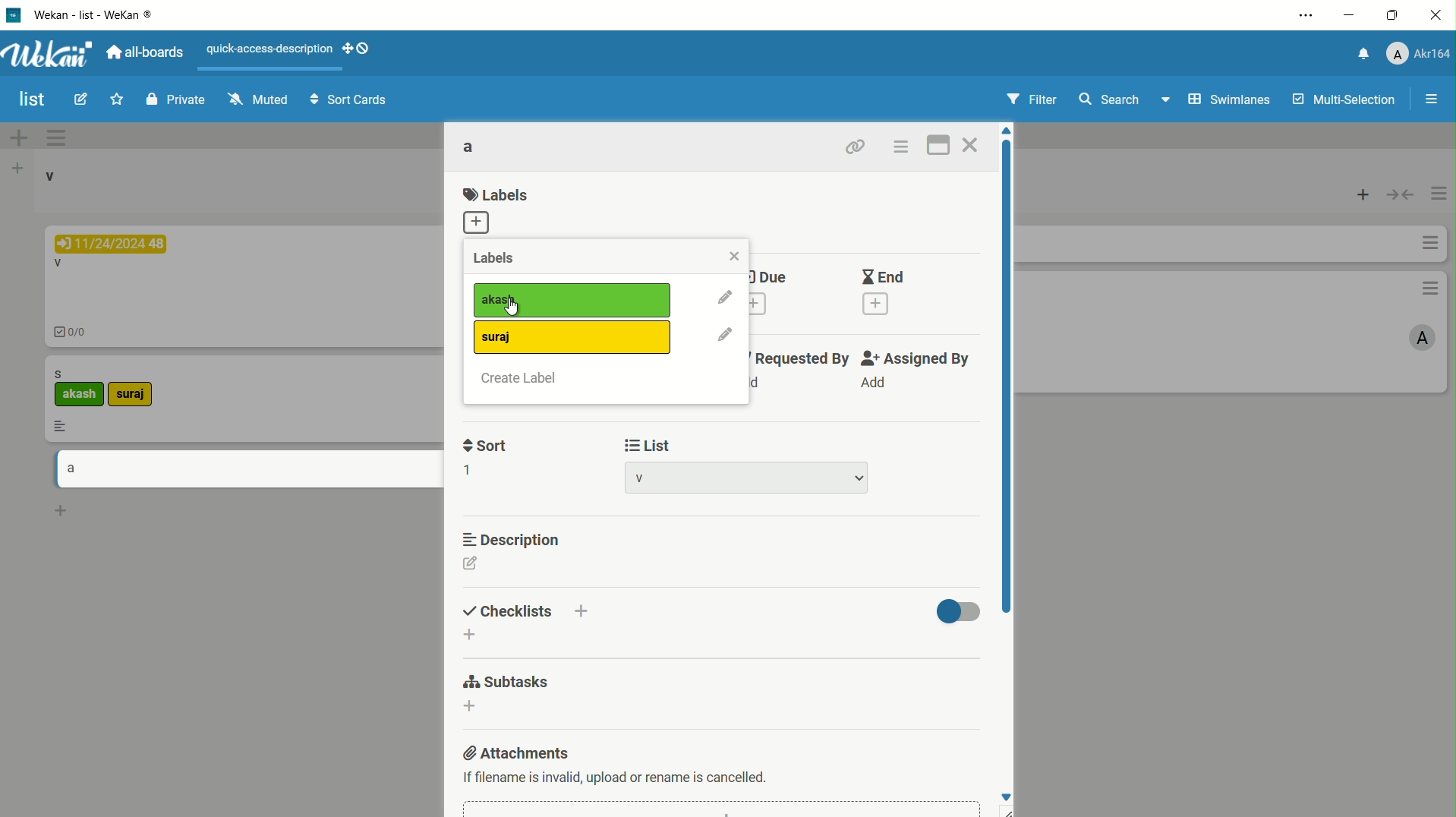 This screenshot has height=817, width=1456. What do you see at coordinates (1395, 18) in the screenshot?
I see `maximize` at bounding box center [1395, 18].